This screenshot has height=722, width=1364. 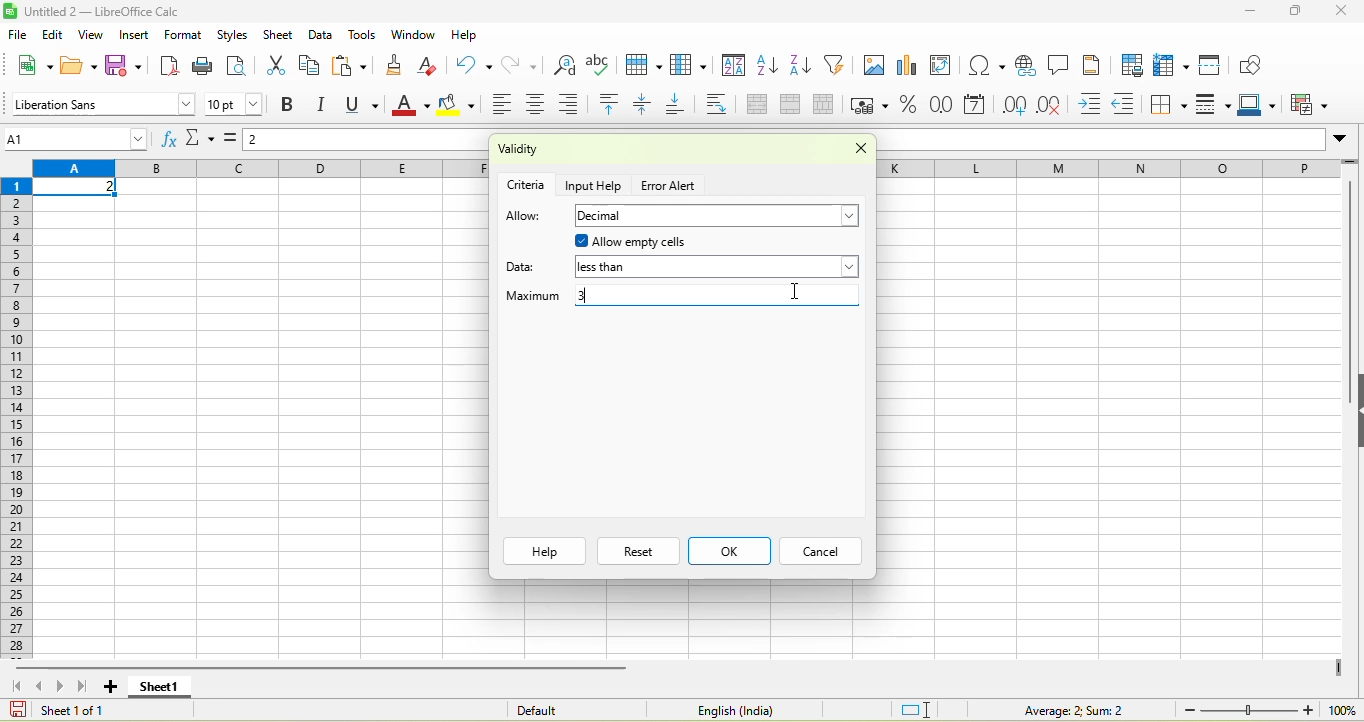 What do you see at coordinates (234, 143) in the screenshot?
I see `formula` at bounding box center [234, 143].